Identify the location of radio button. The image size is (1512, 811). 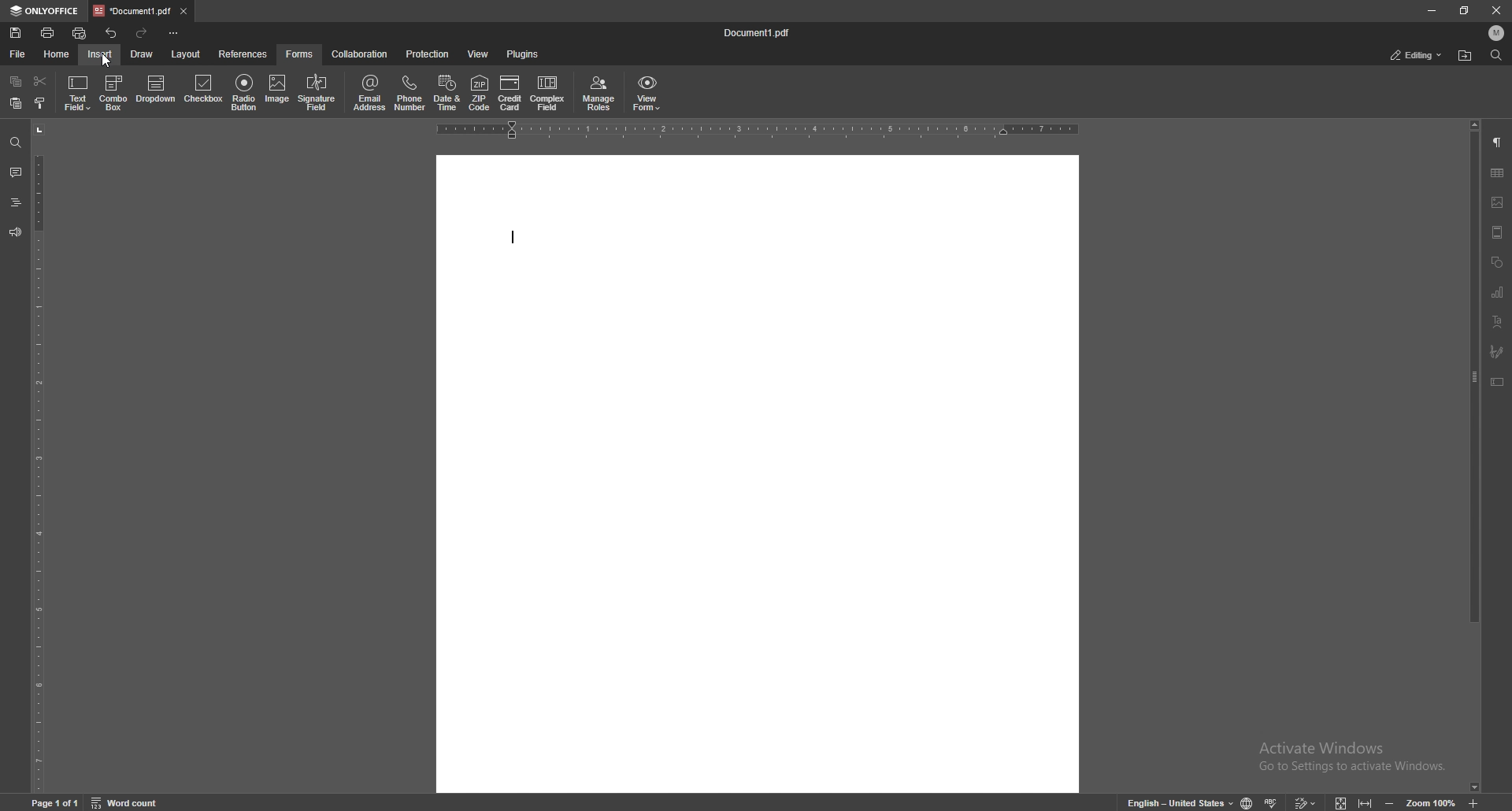
(244, 90).